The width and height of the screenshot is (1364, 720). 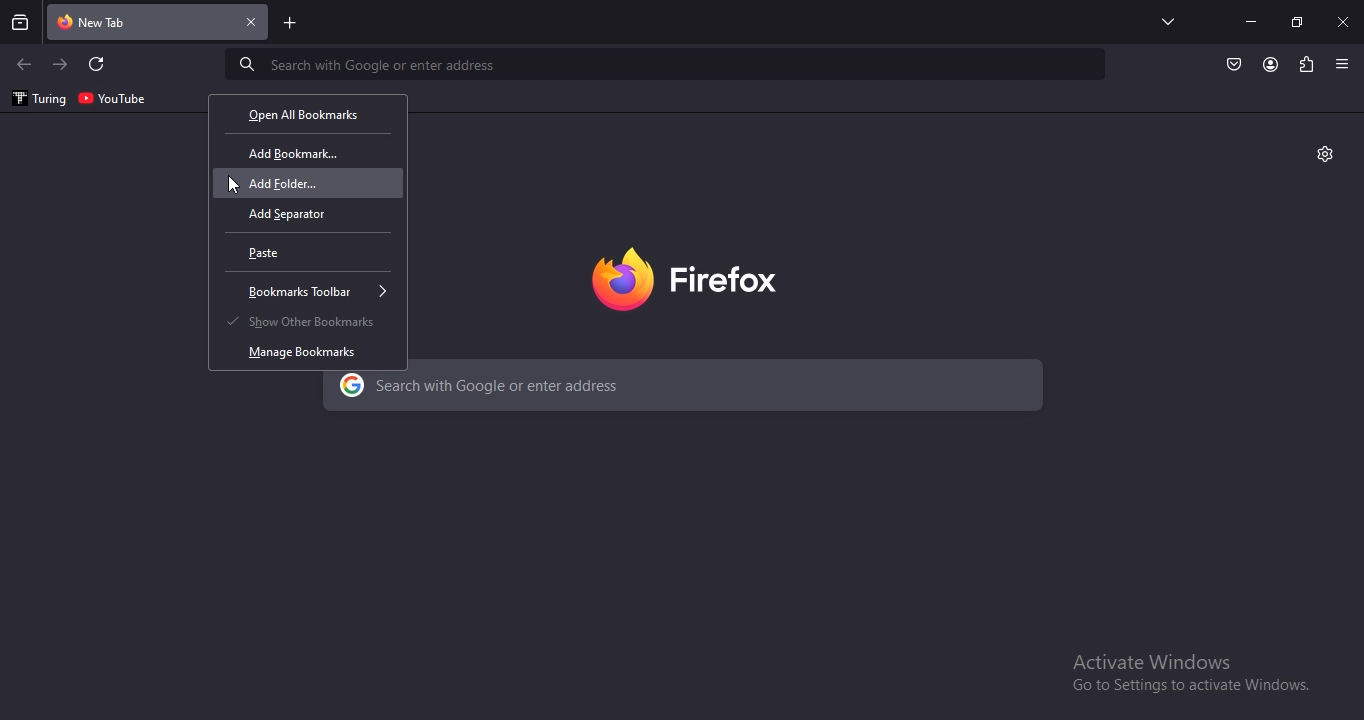 What do you see at coordinates (1234, 65) in the screenshot?
I see `` at bounding box center [1234, 65].